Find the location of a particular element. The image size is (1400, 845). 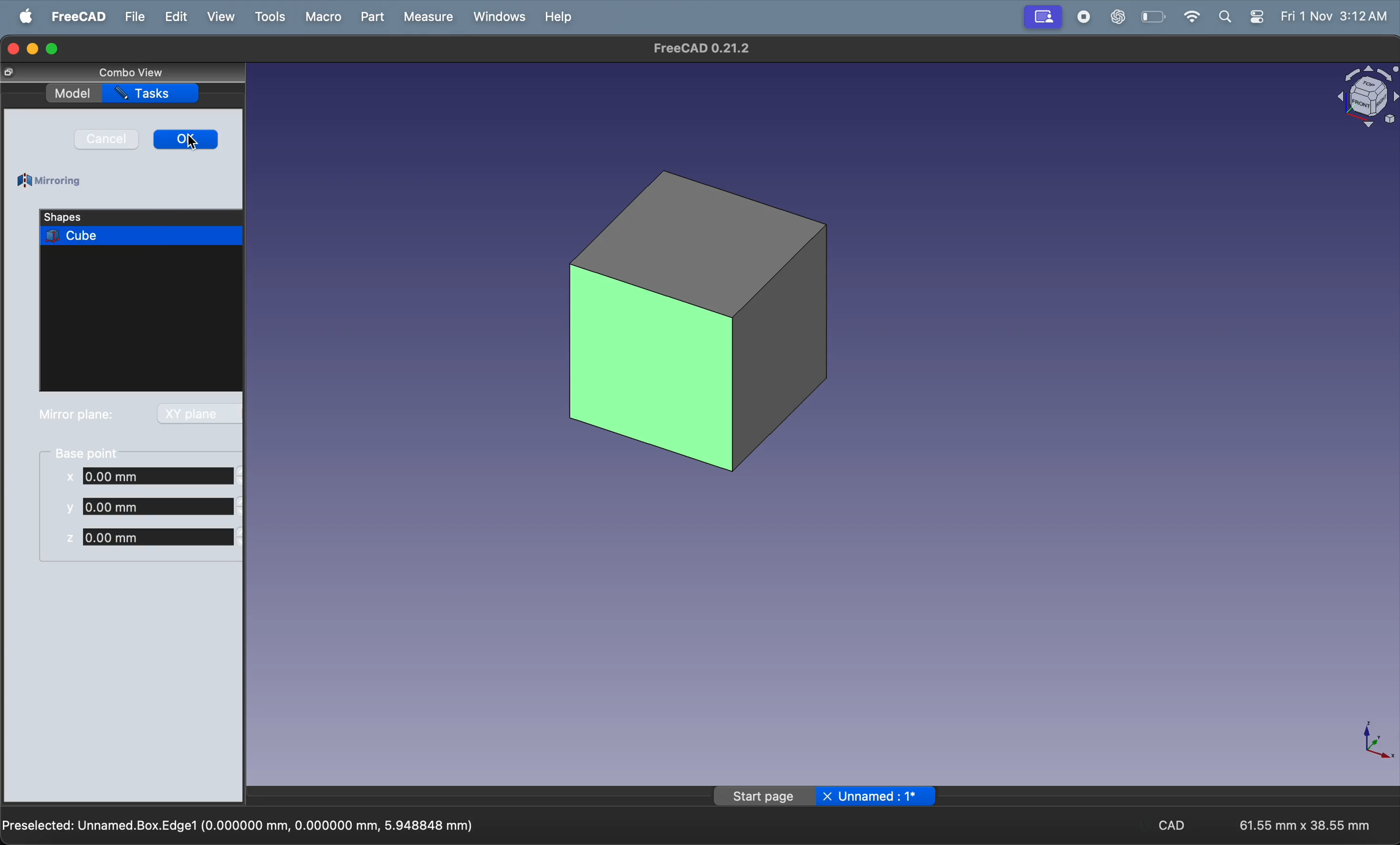

freecad is located at coordinates (77, 16).